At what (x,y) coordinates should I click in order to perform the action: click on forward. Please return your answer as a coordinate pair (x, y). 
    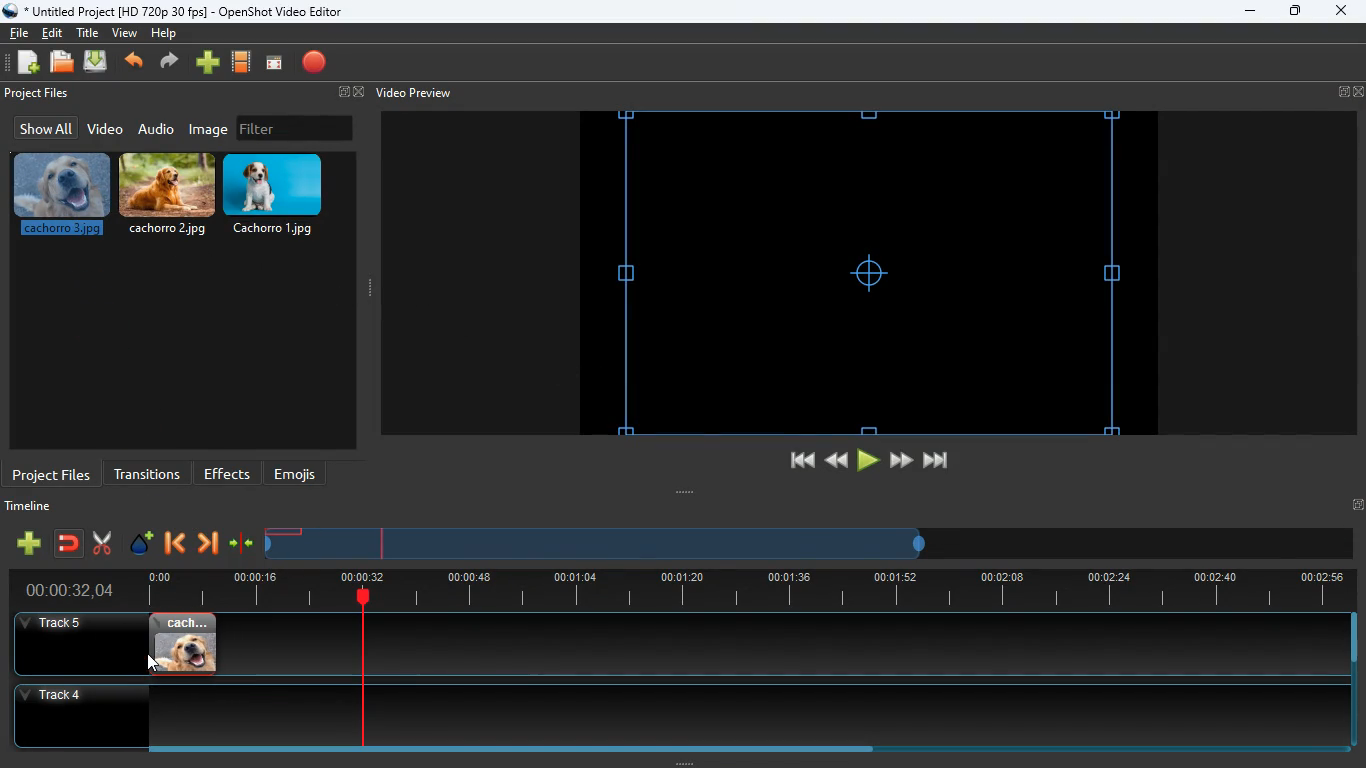
    Looking at the image, I should click on (207, 545).